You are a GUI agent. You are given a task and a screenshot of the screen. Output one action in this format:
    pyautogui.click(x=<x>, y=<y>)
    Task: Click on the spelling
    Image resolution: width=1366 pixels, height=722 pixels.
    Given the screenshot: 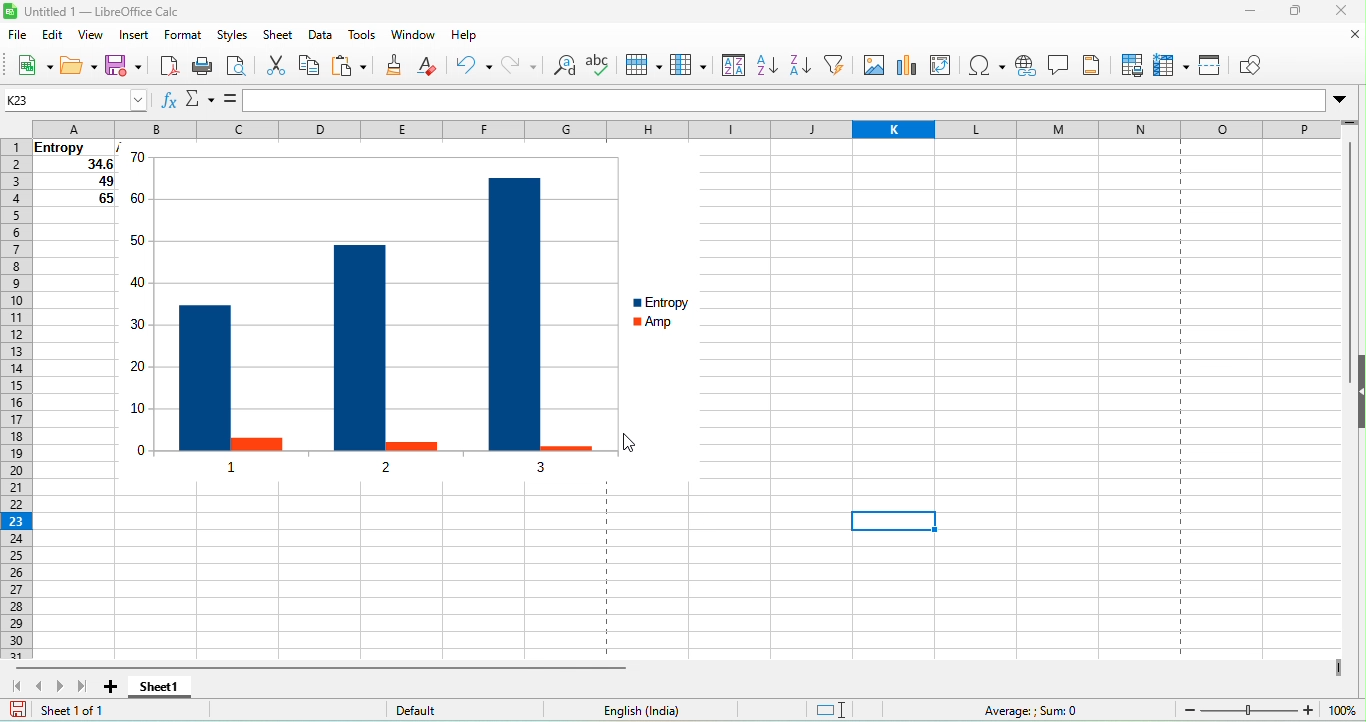 What is the action you would take?
    pyautogui.click(x=604, y=67)
    